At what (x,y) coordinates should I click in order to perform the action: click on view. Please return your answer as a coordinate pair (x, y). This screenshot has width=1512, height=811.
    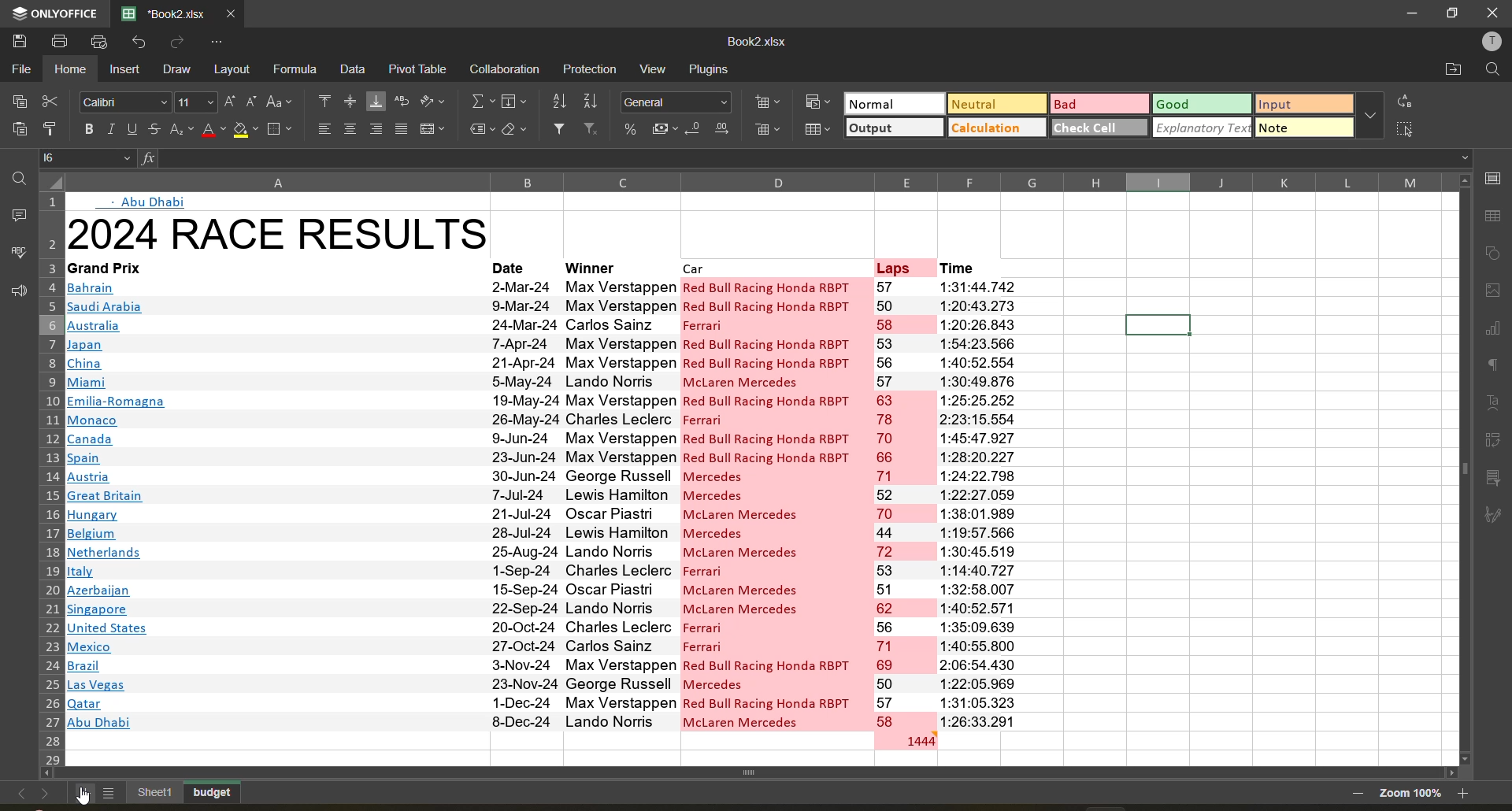
    Looking at the image, I should click on (657, 71).